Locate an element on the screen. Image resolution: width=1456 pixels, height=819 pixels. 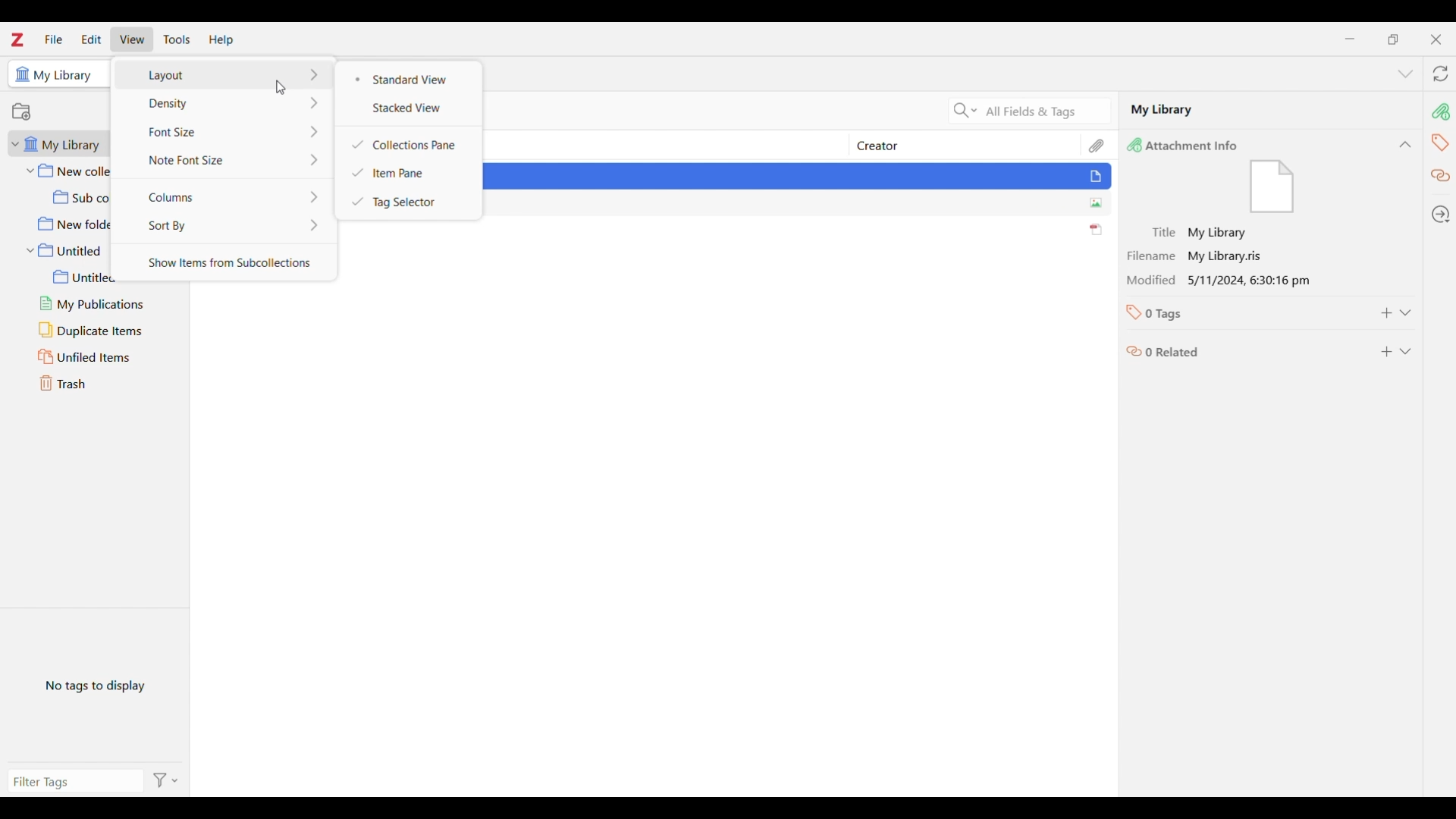
Collapse is located at coordinates (1405, 144).